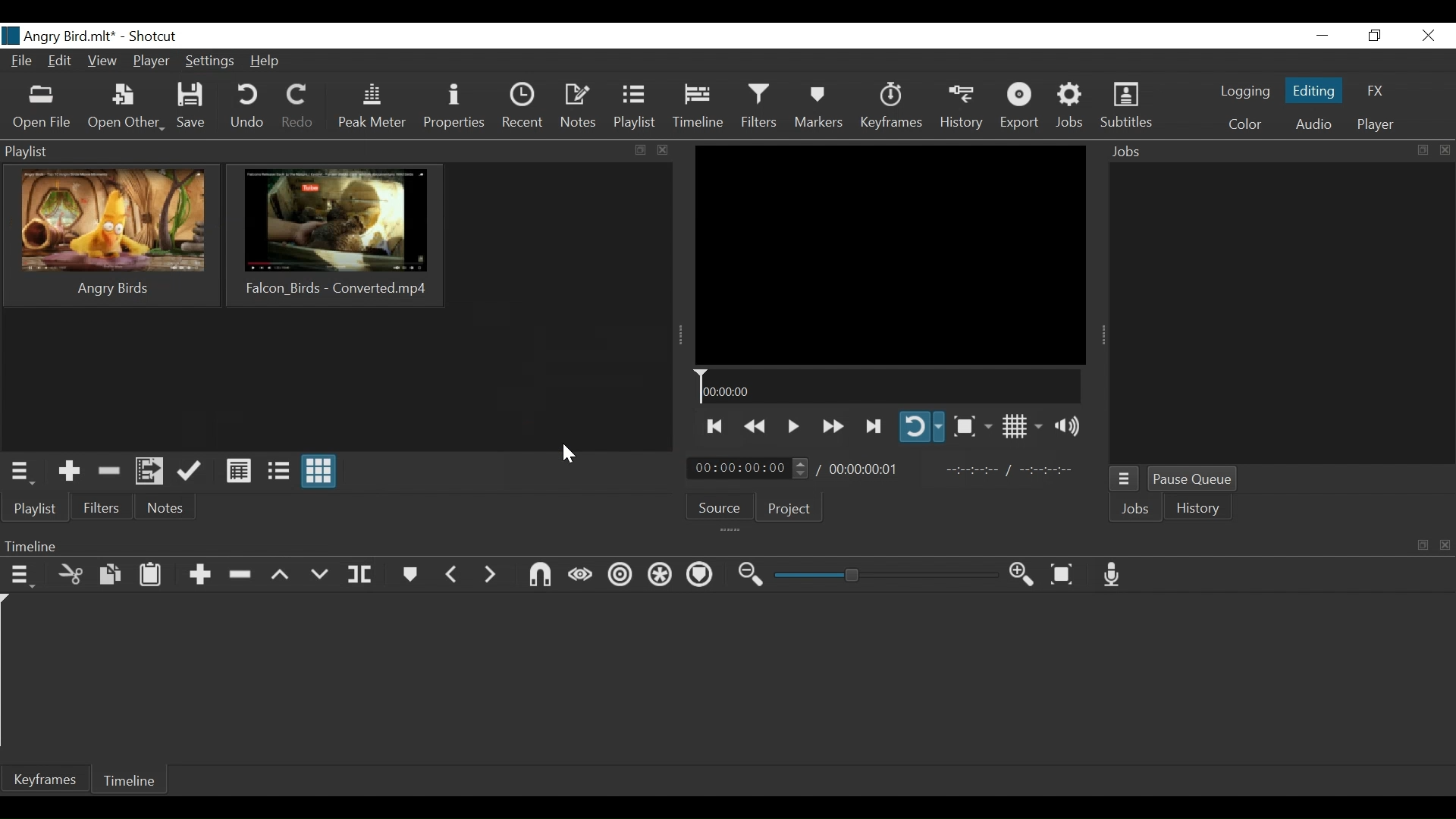 This screenshot has height=819, width=1456. I want to click on Clip, so click(110, 236).